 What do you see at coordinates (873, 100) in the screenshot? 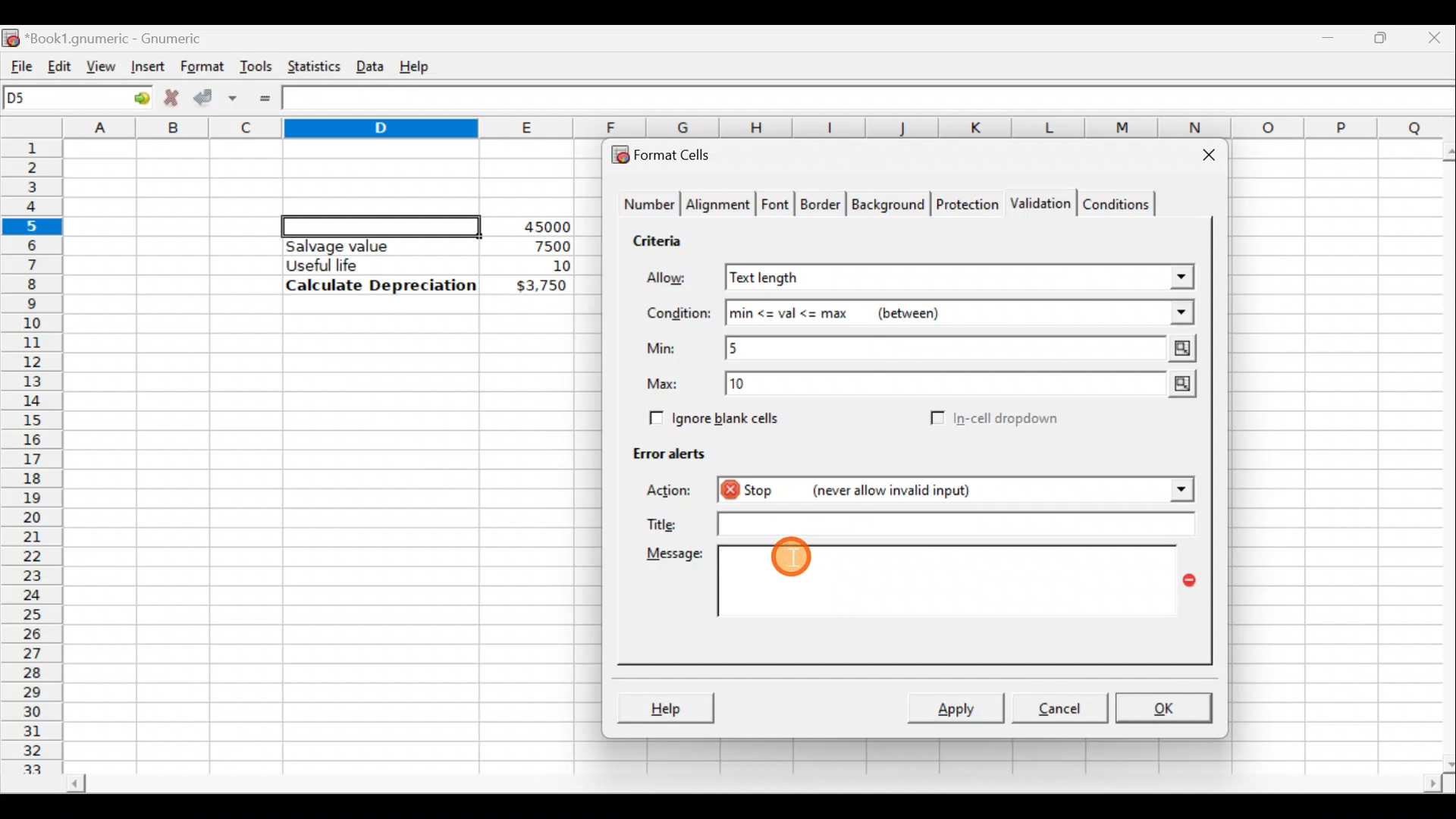
I see `Formula bar` at bounding box center [873, 100].